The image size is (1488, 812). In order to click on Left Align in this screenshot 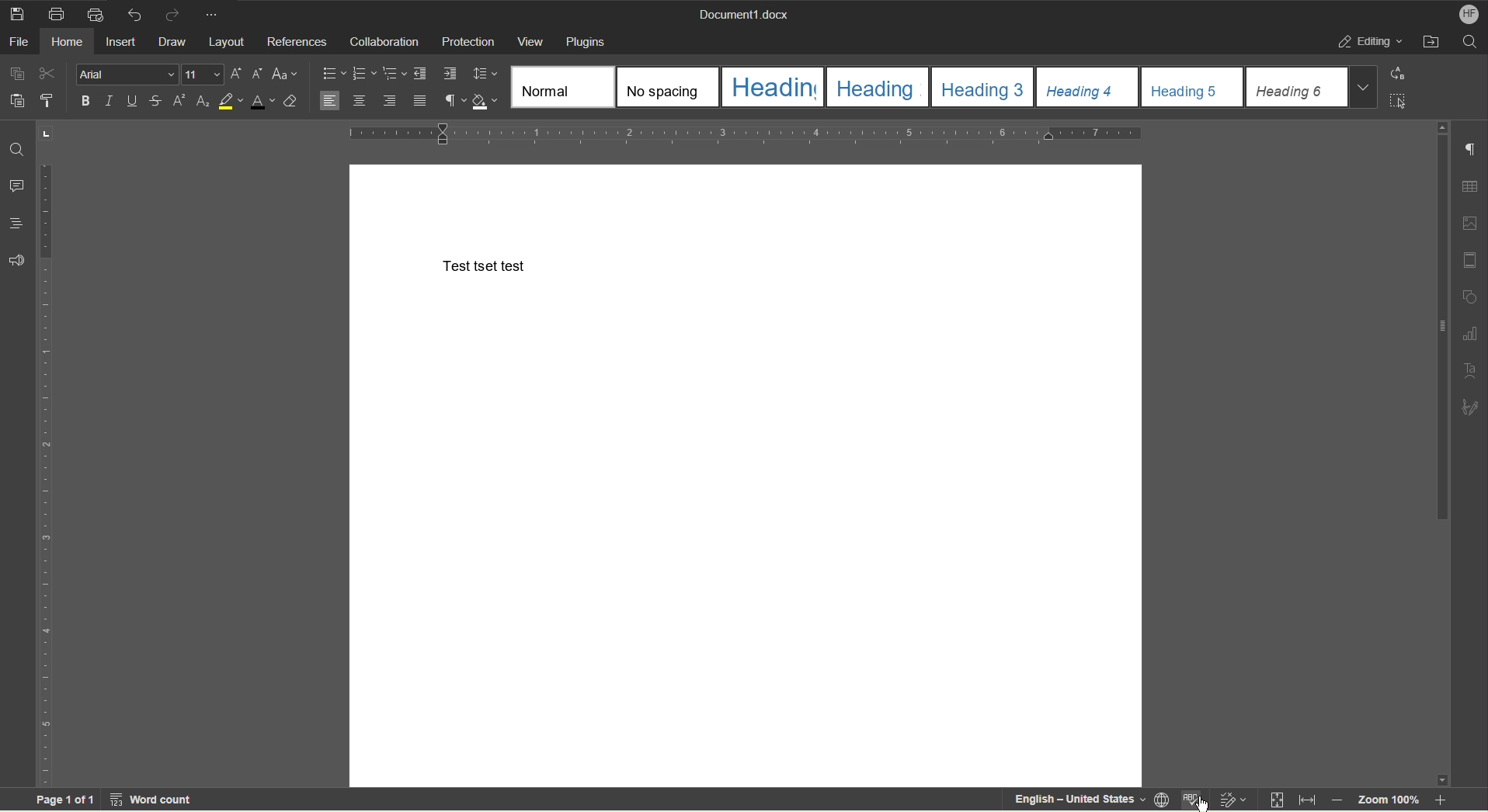, I will do `click(330, 101)`.